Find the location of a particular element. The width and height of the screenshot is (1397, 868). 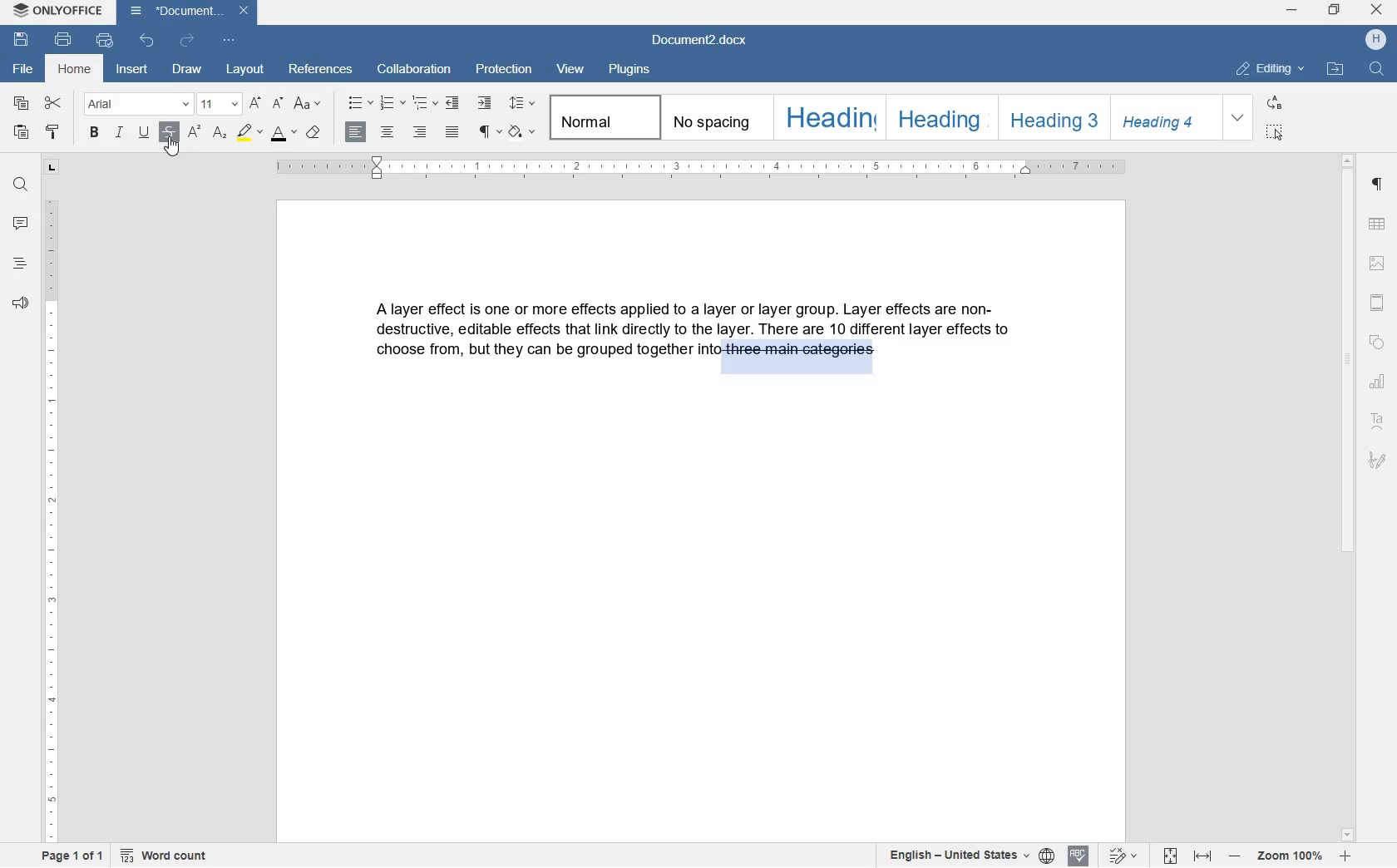

paste is located at coordinates (21, 134).